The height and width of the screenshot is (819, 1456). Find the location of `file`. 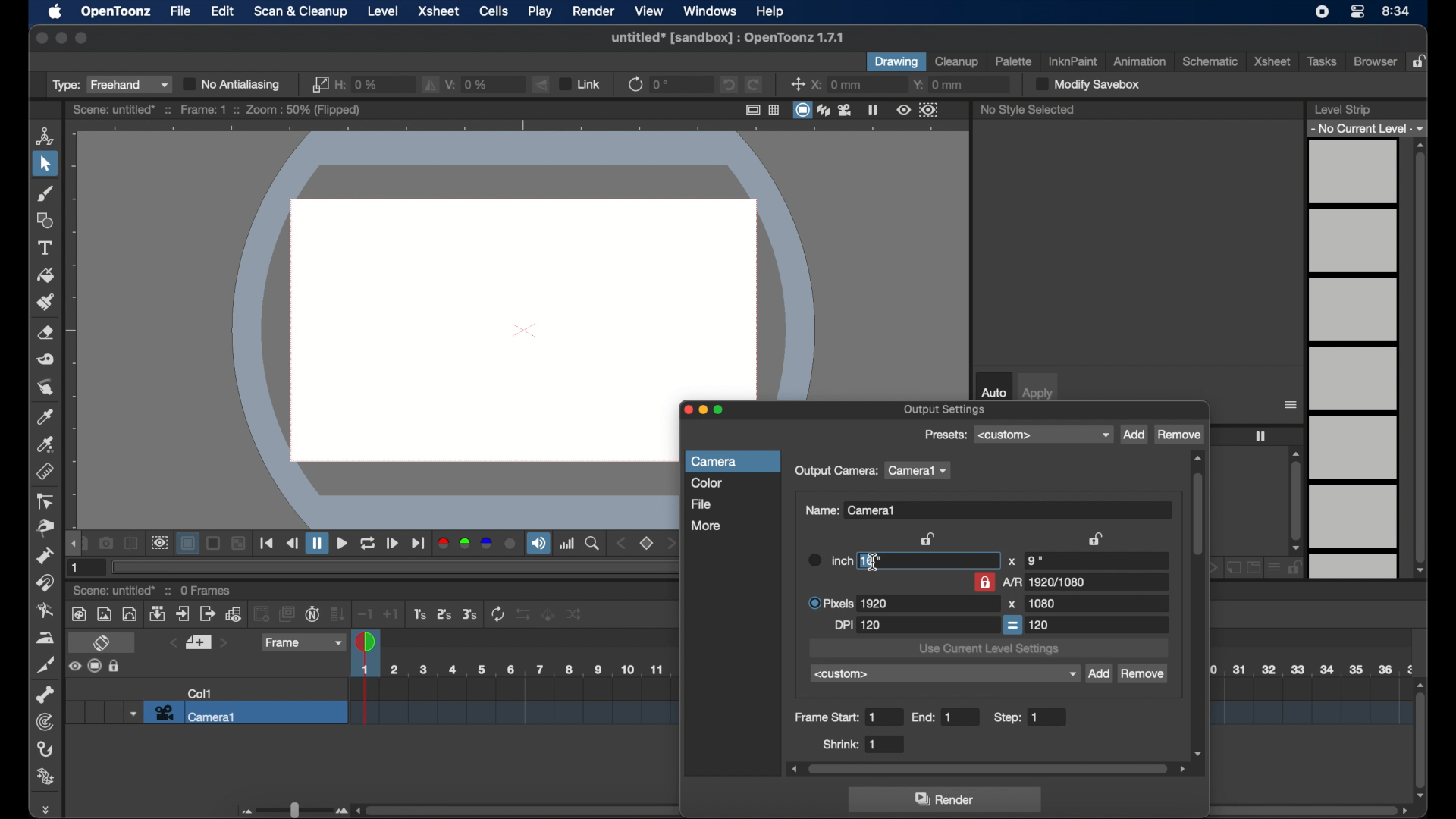

file is located at coordinates (181, 11).